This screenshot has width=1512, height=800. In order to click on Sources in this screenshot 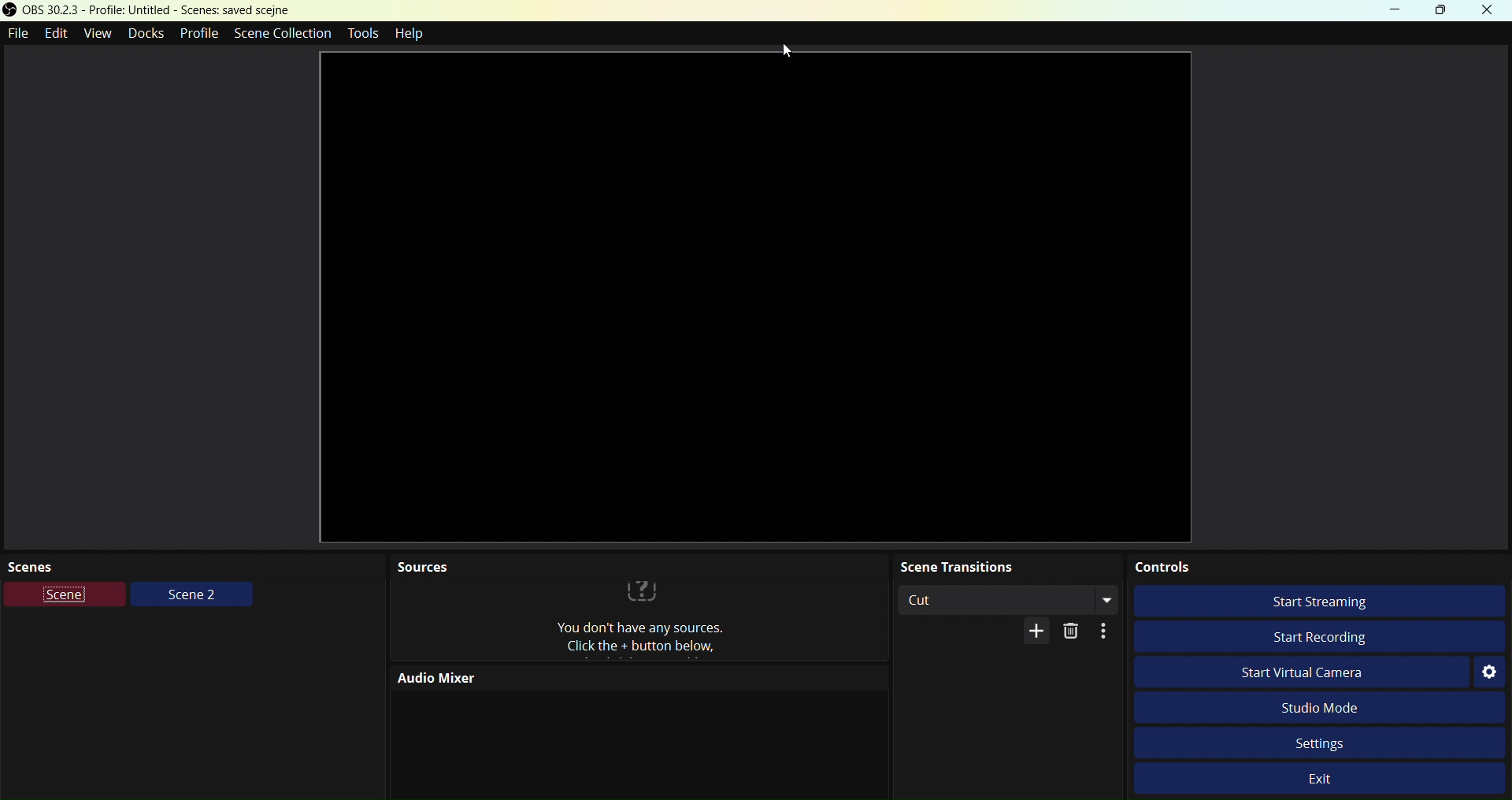, I will do `click(665, 639)`.